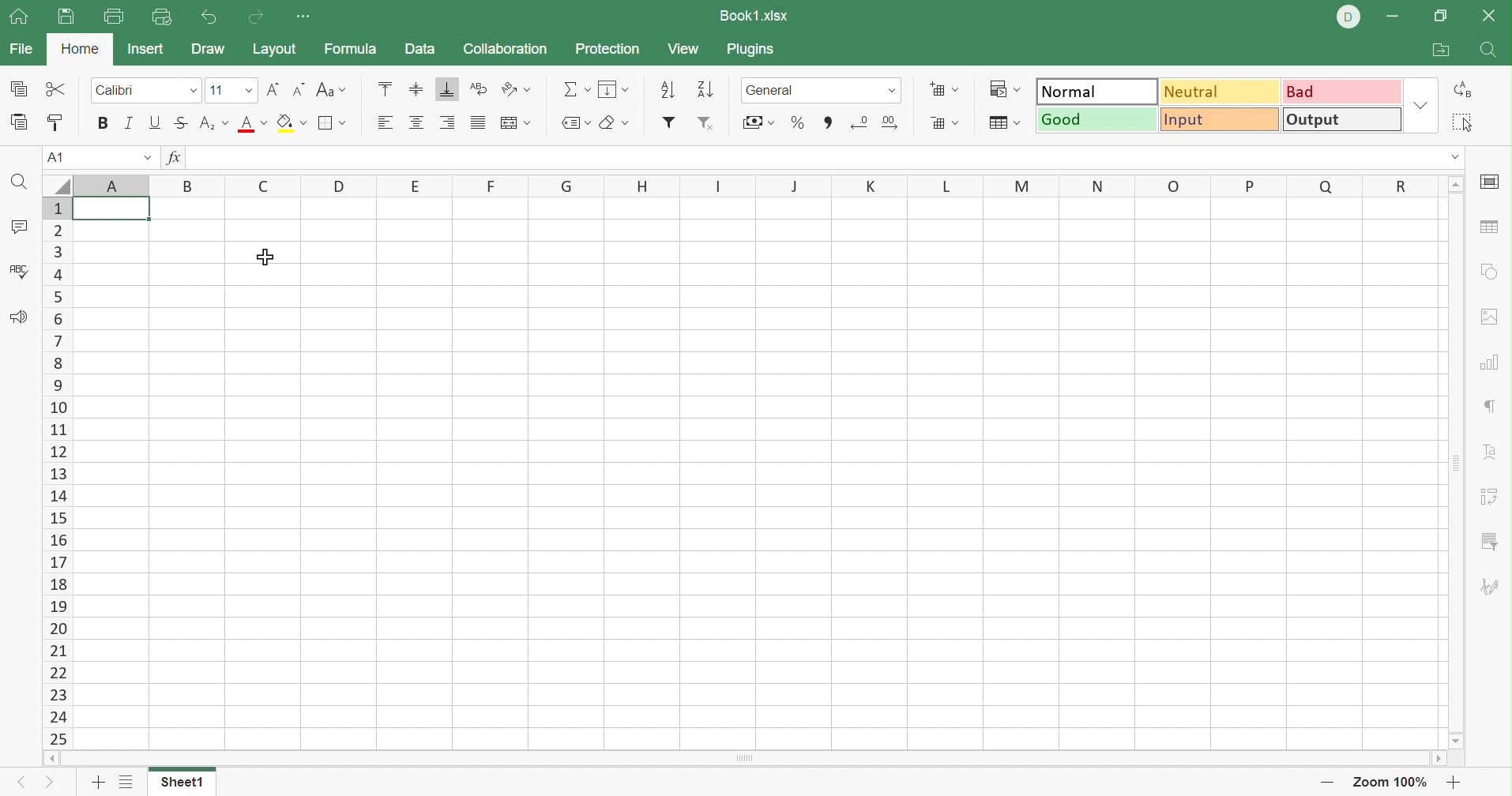 The image size is (1512, 796). I want to click on Cell settings, so click(1491, 182).